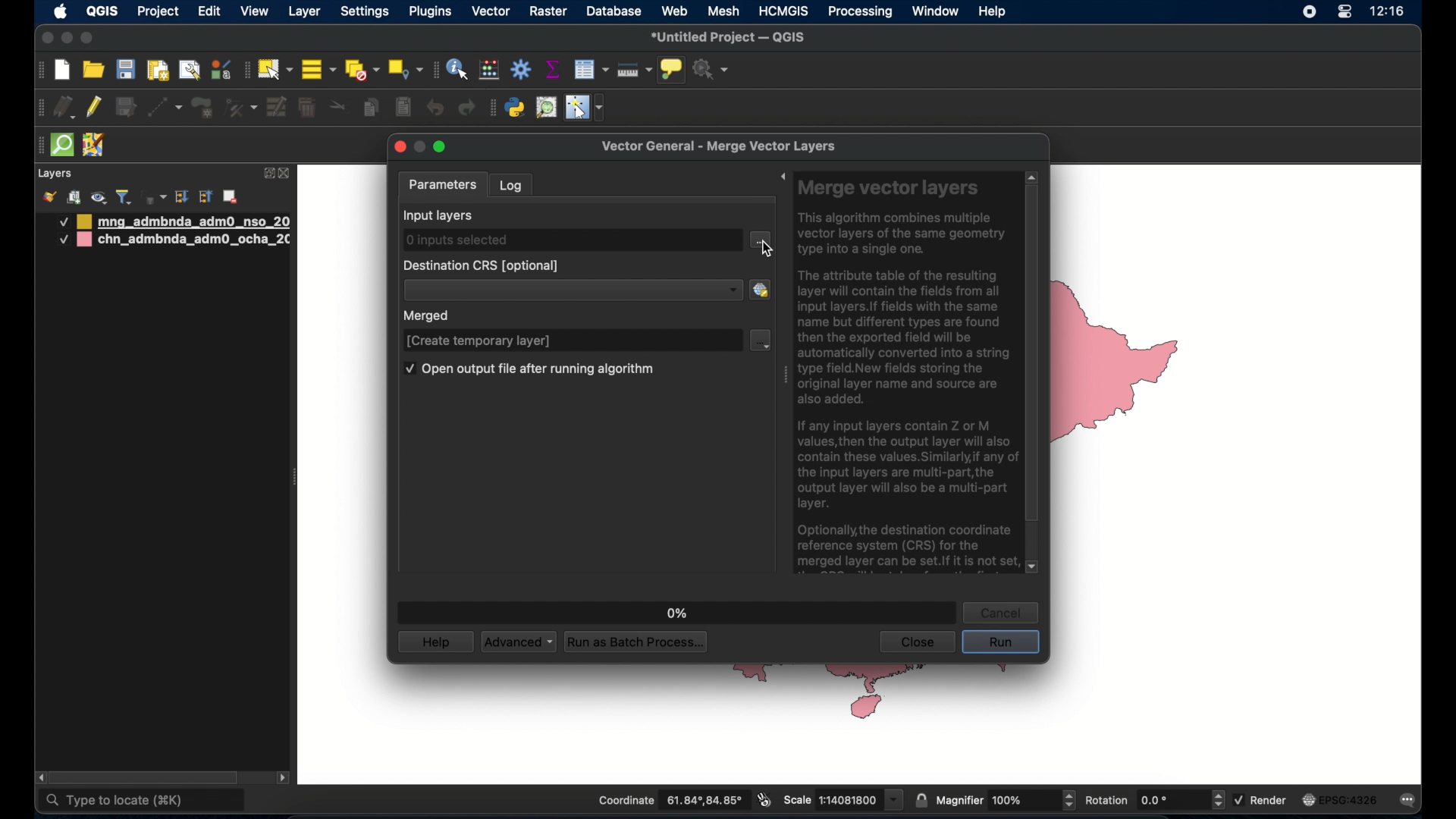 The width and height of the screenshot is (1456, 819). Describe the element at coordinates (95, 108) in the screenshot. I see `toggle editing` at that location.